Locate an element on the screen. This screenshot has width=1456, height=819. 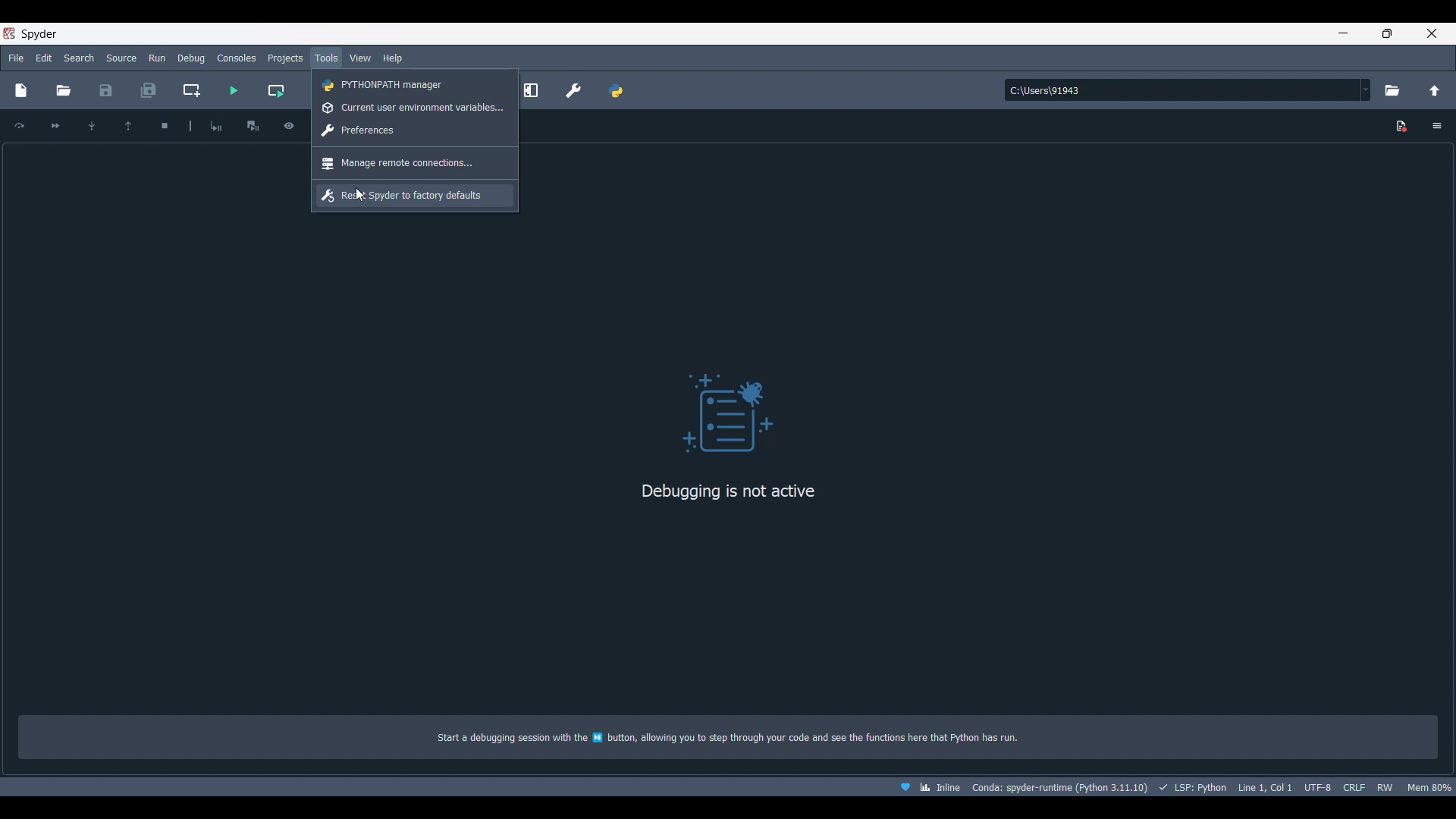
Run file is located at coordinates (234, 90).